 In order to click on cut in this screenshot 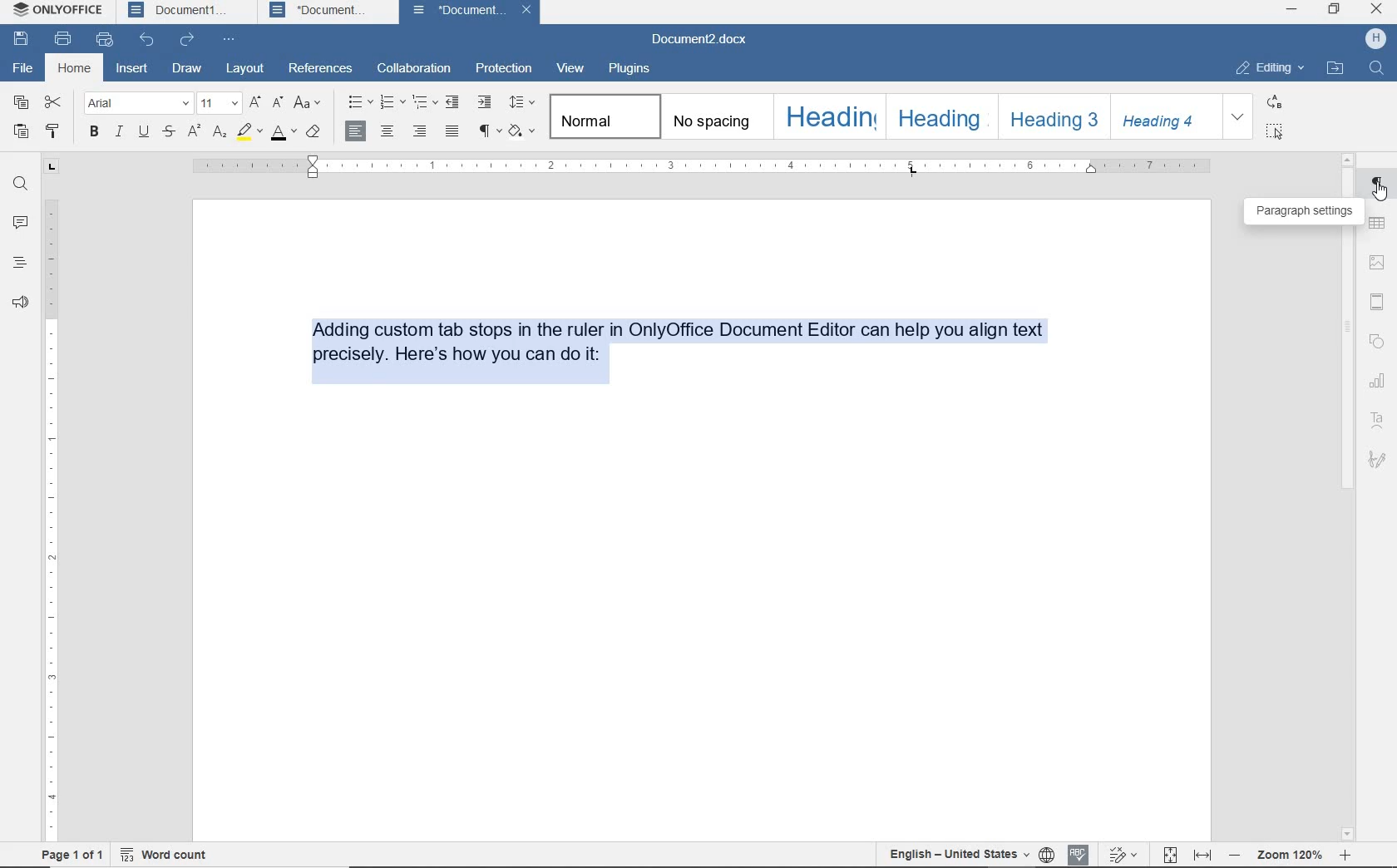, I will do `click(52, 104)`.